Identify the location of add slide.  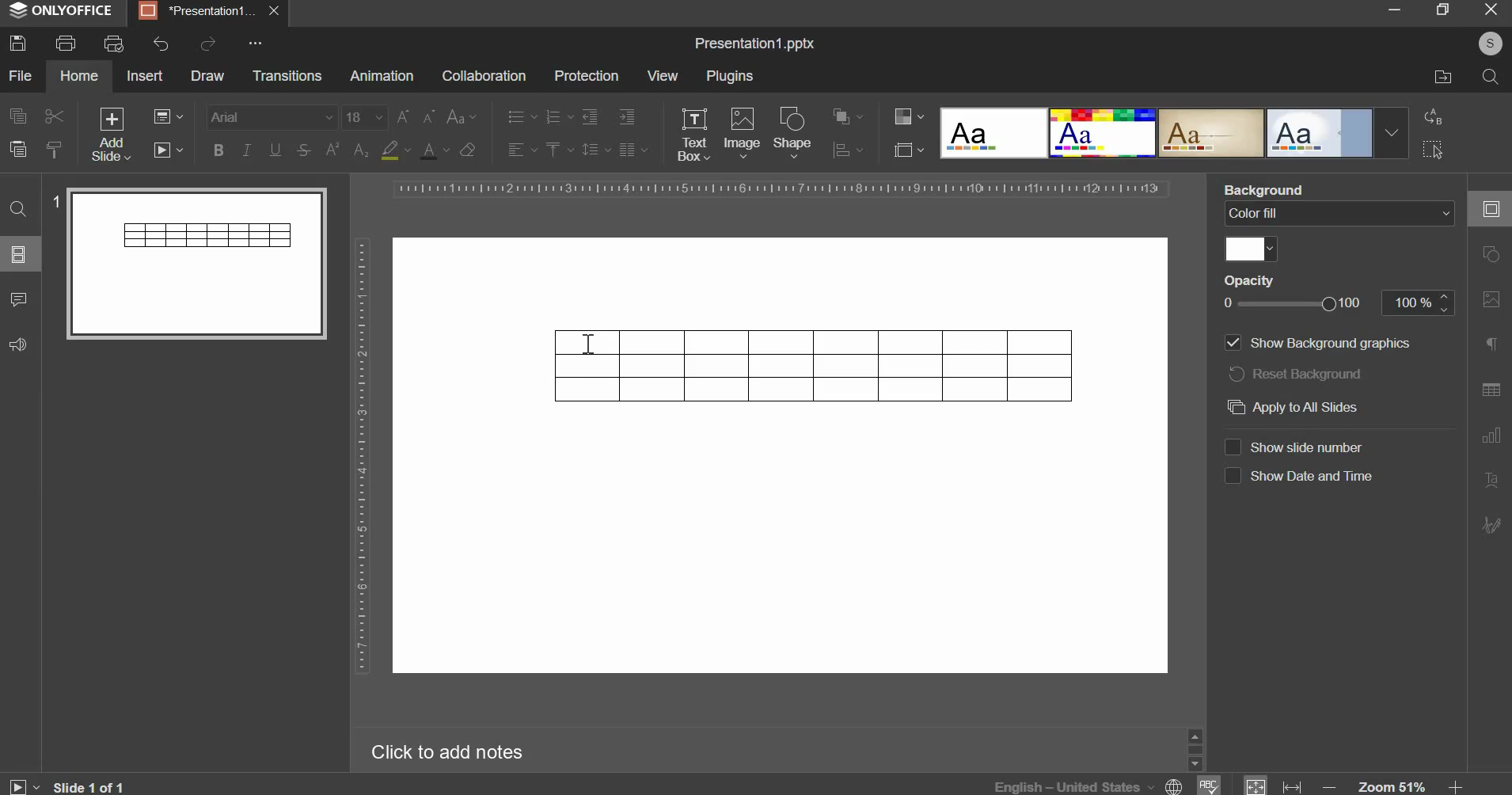
(112, 135).